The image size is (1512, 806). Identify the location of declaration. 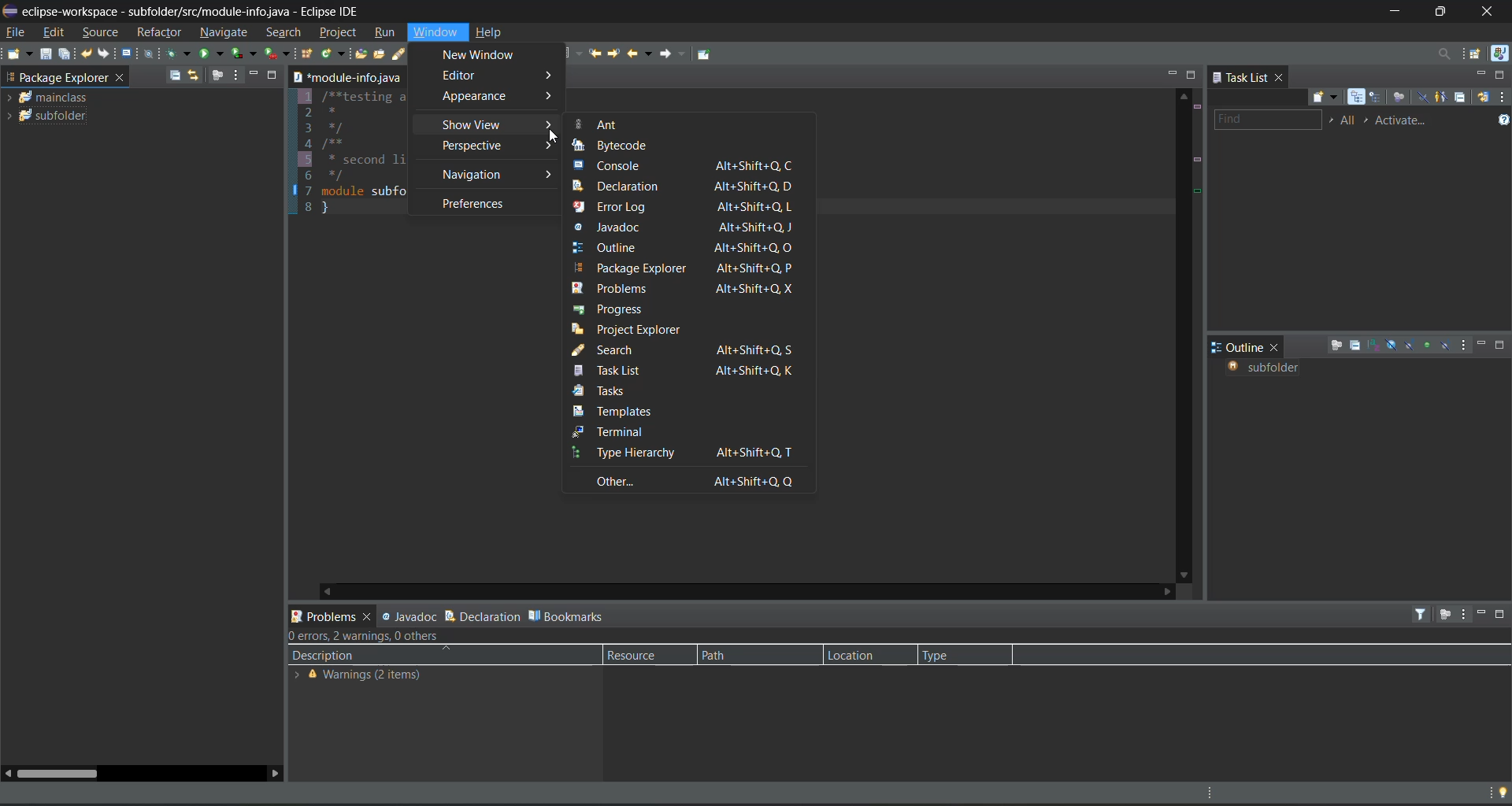
(687, 187).